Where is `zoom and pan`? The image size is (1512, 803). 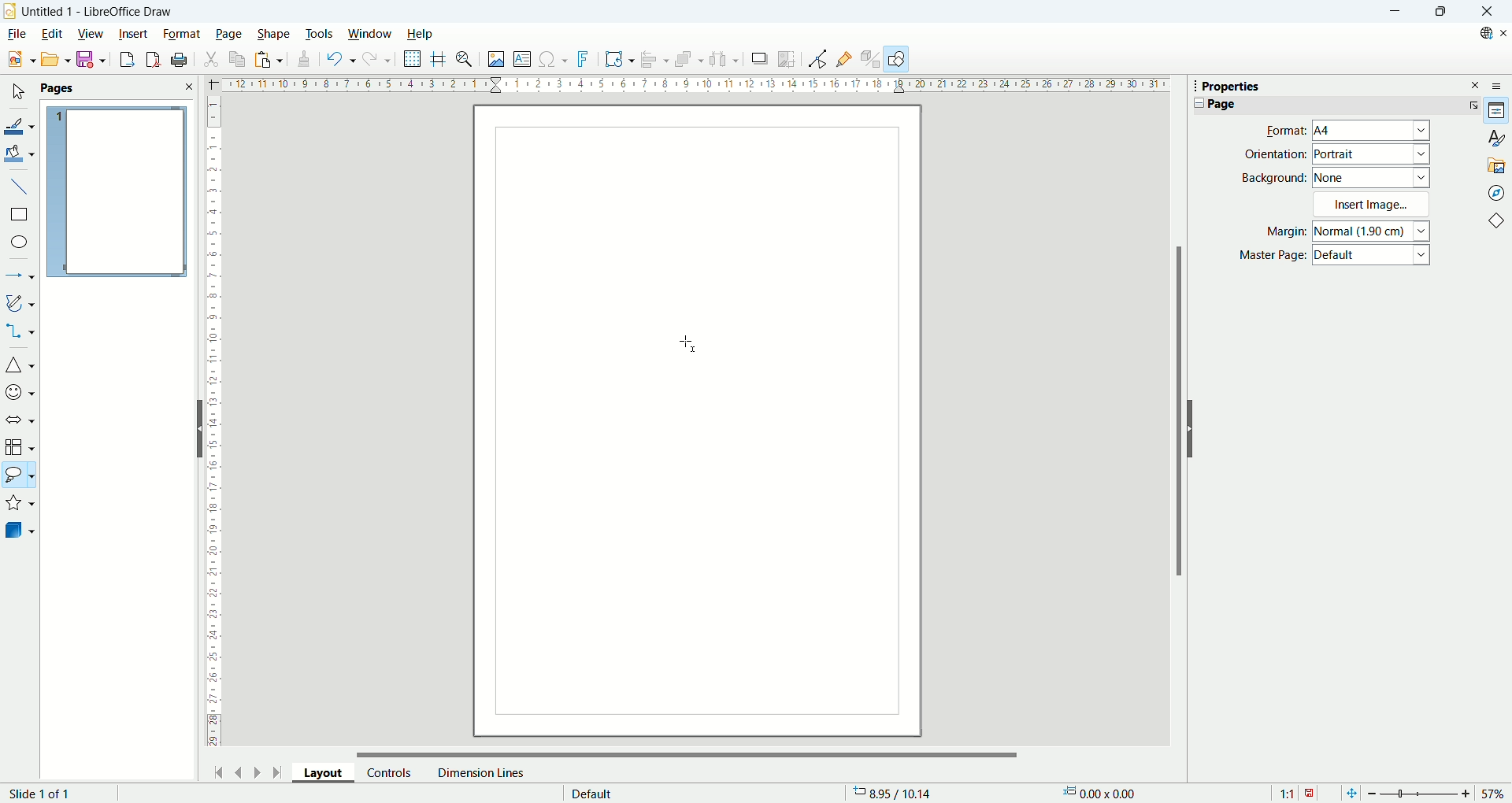 zoom and pan is located at coordinates (465, 61).